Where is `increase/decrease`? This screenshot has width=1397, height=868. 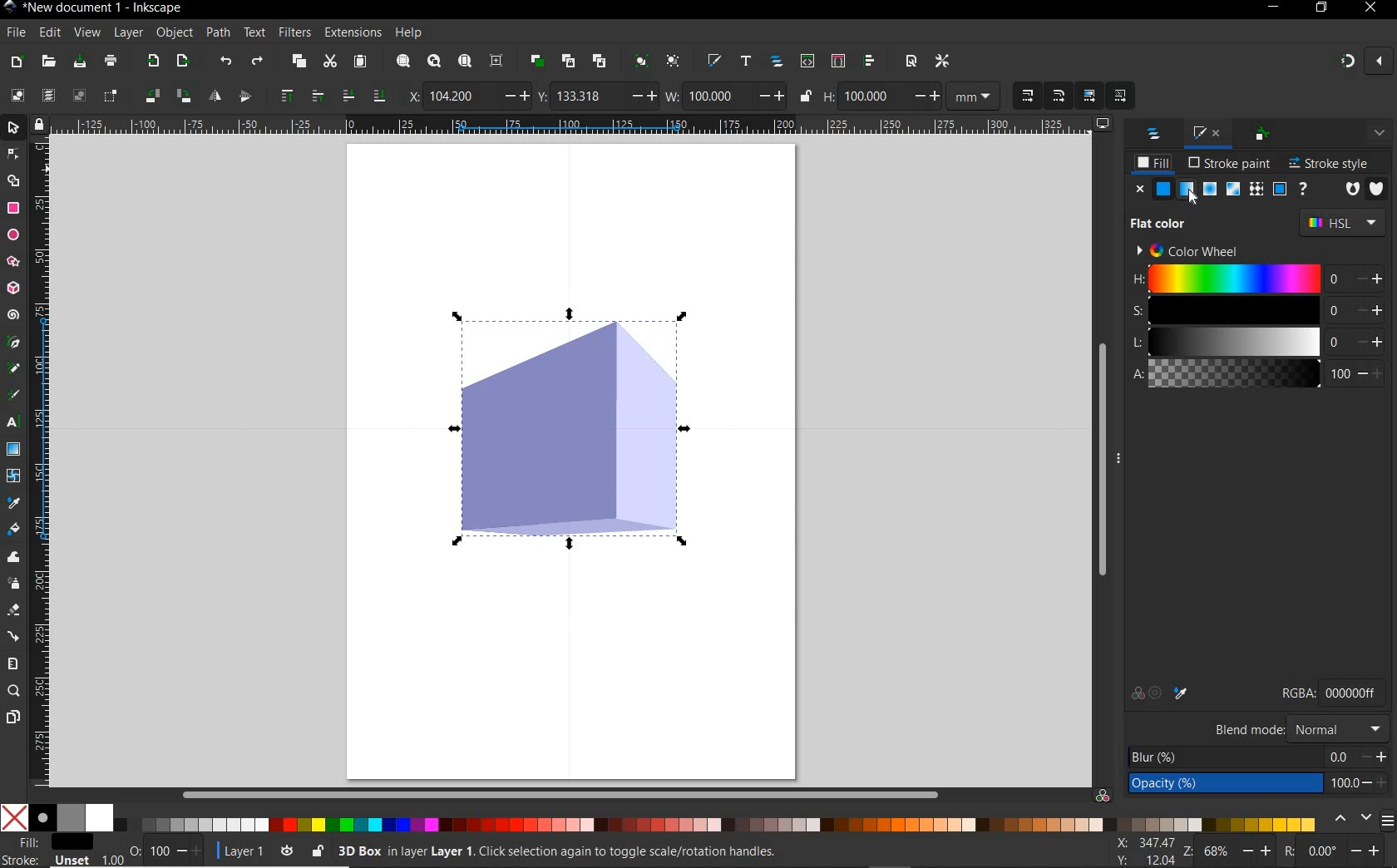
increase/decrease is located at coordinates (189, 851).